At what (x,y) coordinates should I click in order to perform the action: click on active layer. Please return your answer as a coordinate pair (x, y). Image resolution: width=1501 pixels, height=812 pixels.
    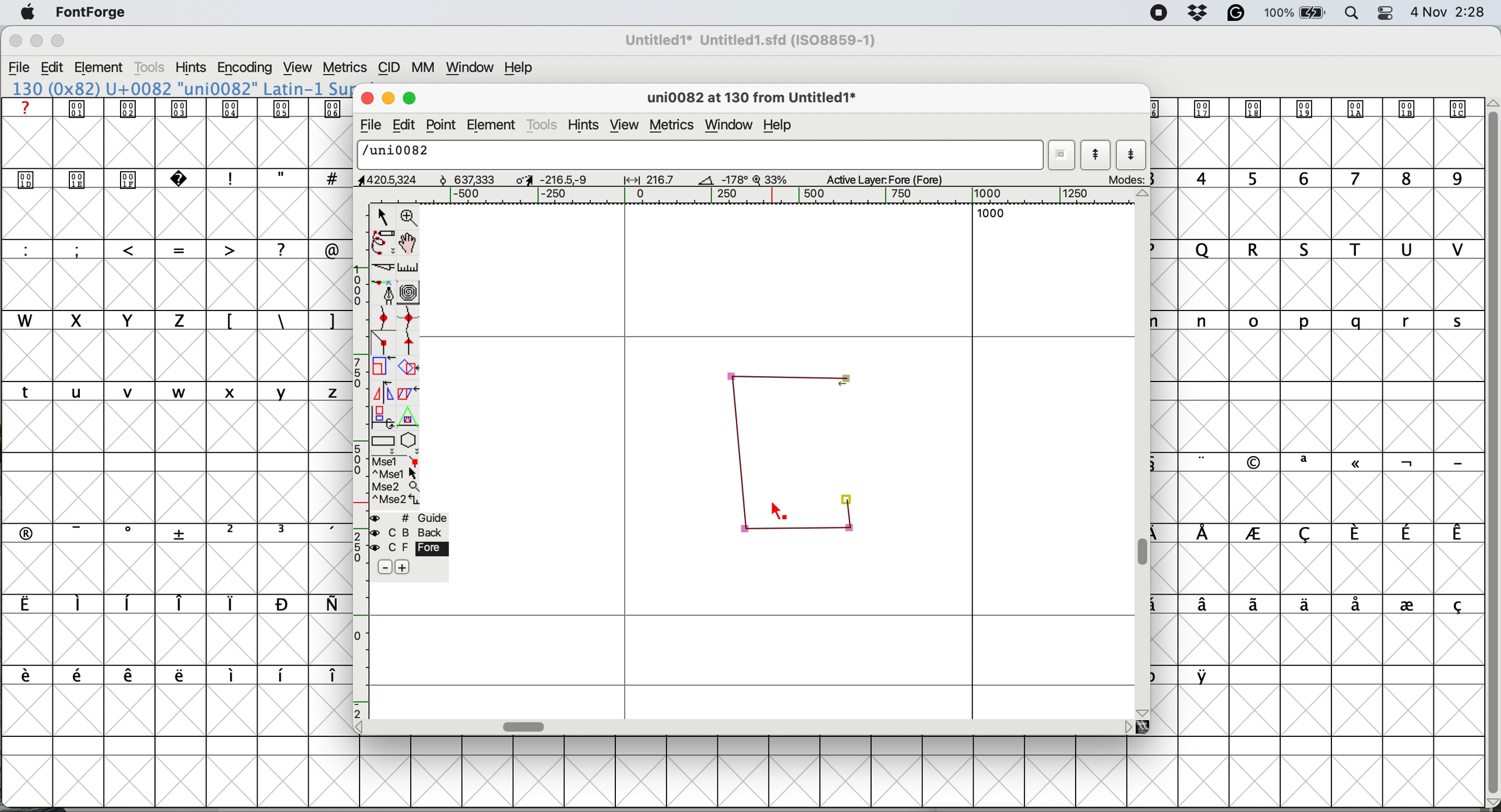
    Looking at the image, I should click on (896, 178).